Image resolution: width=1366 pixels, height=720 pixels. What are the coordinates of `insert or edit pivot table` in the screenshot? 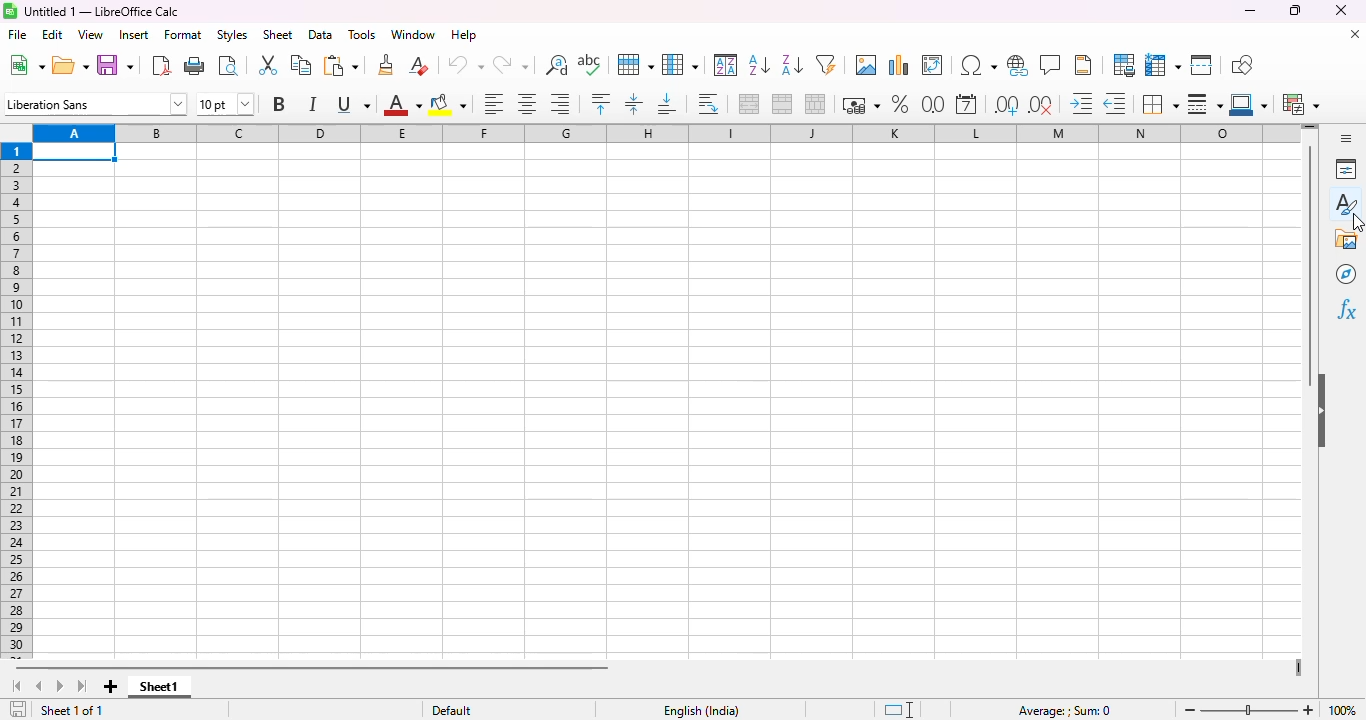 It's located at (933, 65).